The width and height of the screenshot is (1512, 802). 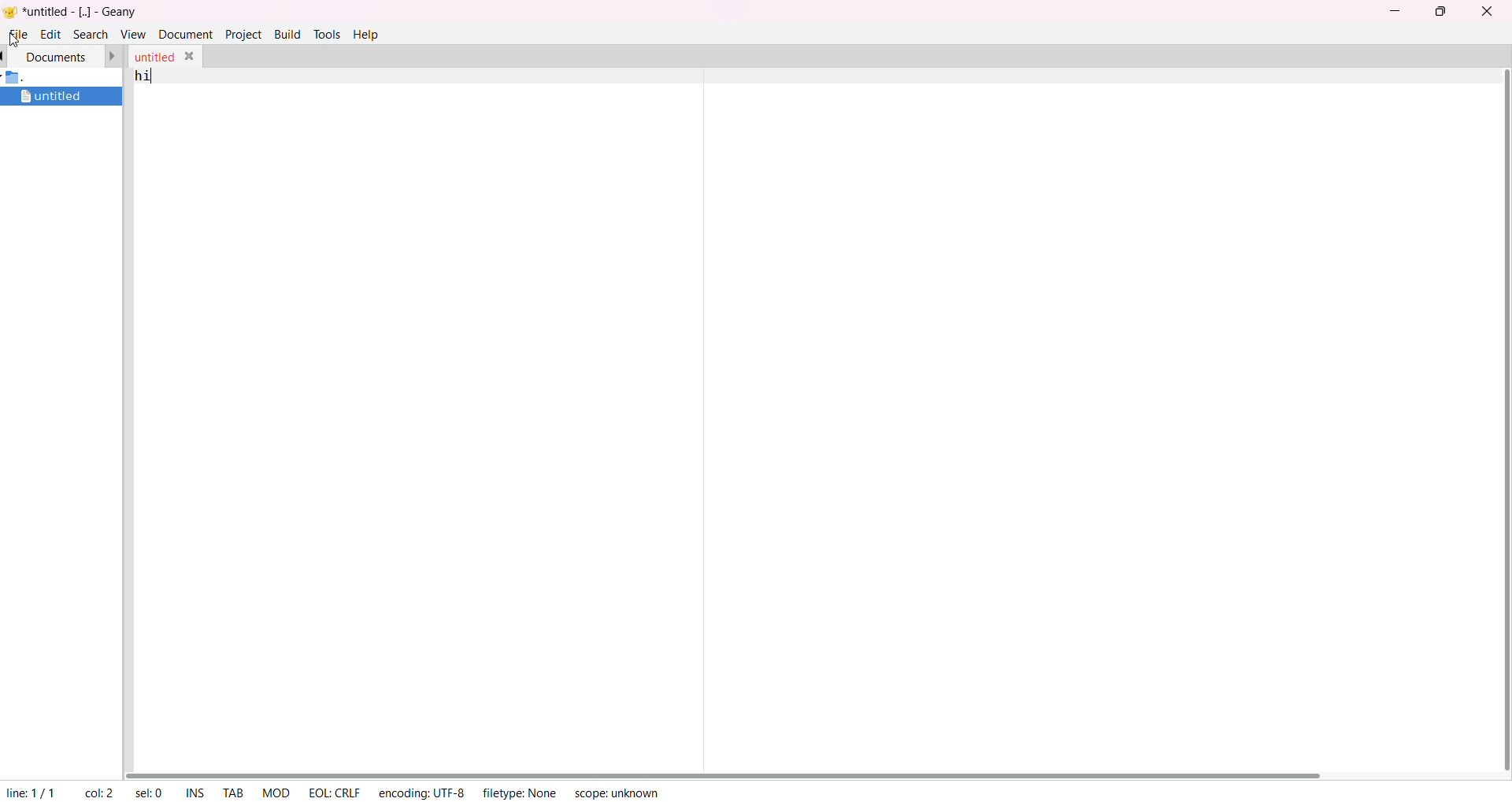 What do you see at coordinates (1392, 9) in the screenshot?
I see `minimize` at bounding box center [1392, 9].